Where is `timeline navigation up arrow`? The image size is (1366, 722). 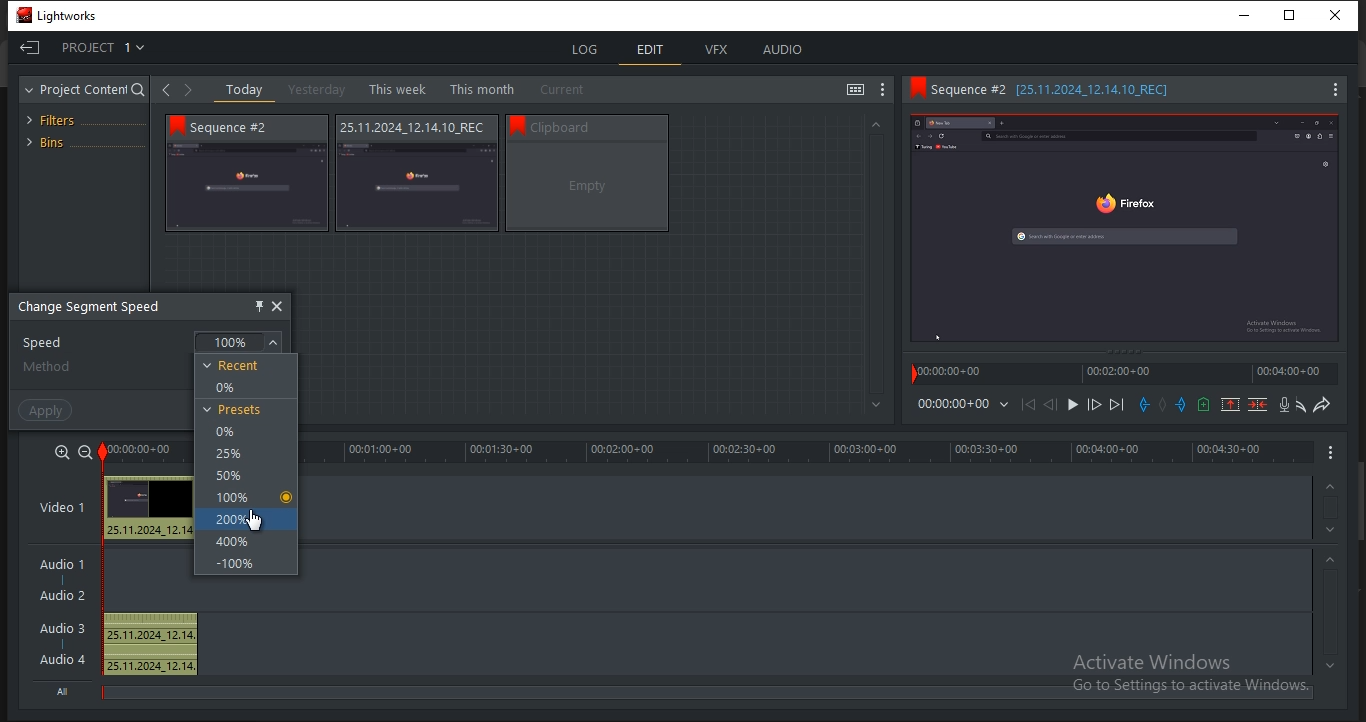 timeline navigation up arrow is located at coordinates (1327, 529).